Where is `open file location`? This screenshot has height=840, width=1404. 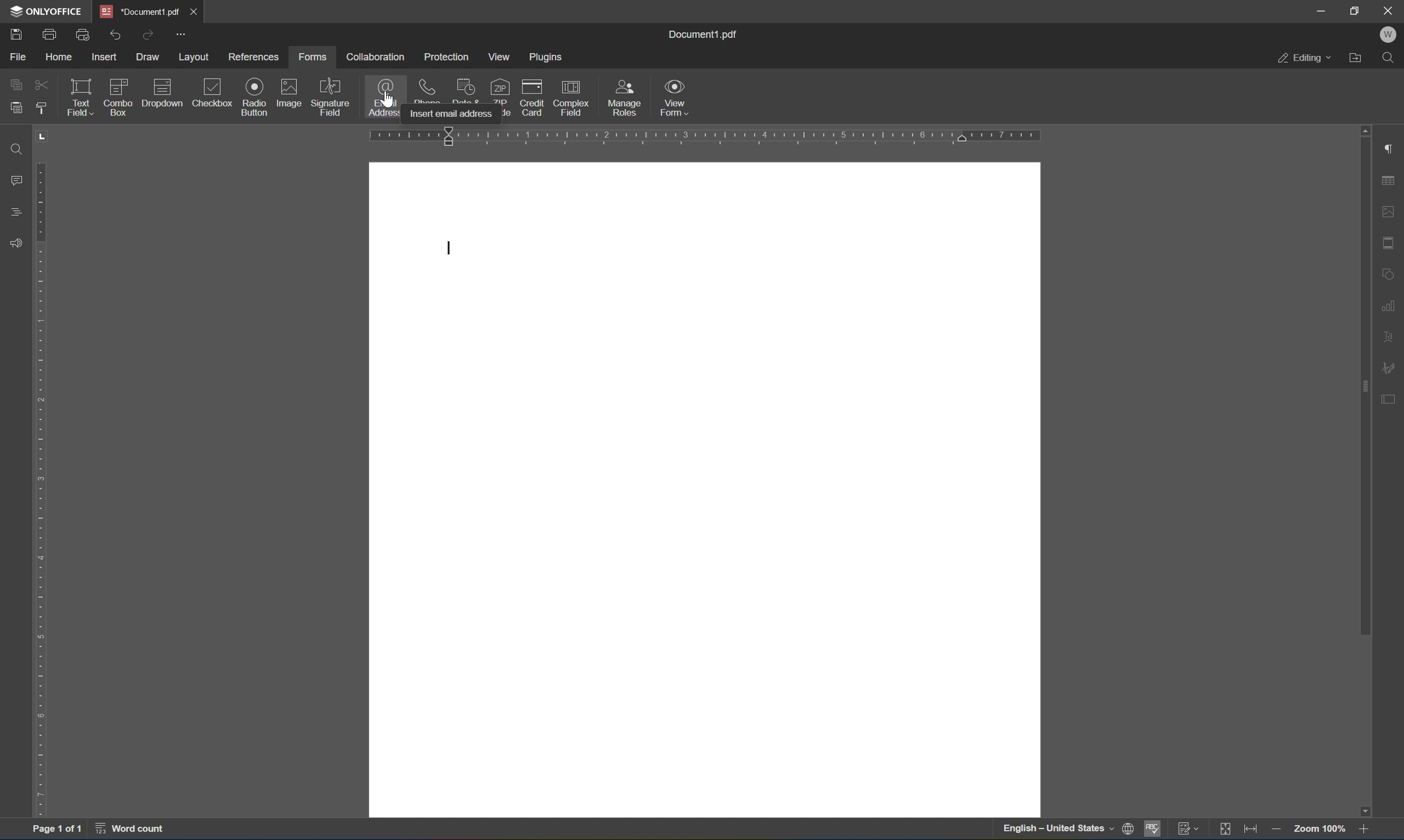
open file location is located at coordinates (1356, 59).